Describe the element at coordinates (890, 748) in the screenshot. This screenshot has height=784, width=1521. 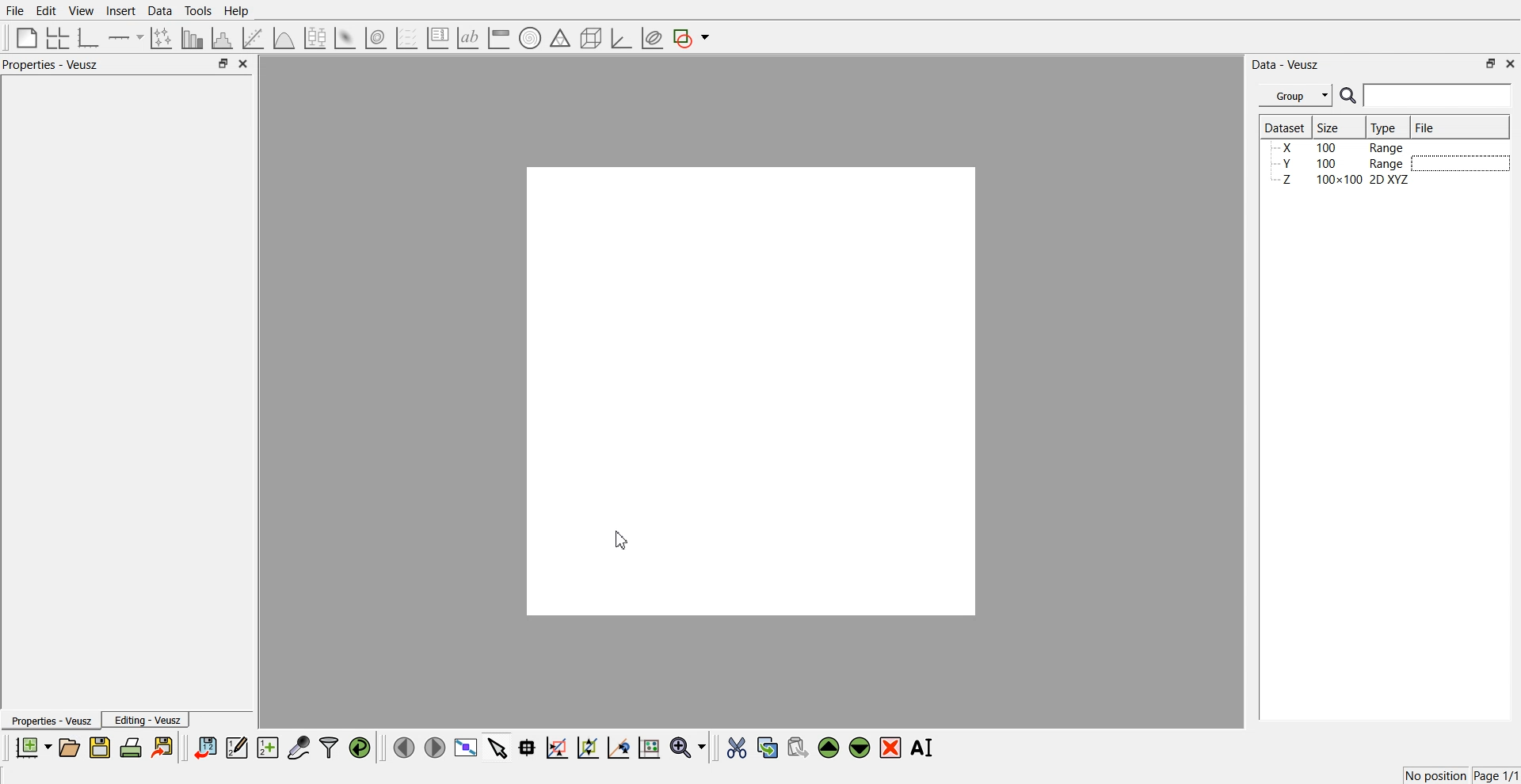
I see `Remove the selected widget` at that location.